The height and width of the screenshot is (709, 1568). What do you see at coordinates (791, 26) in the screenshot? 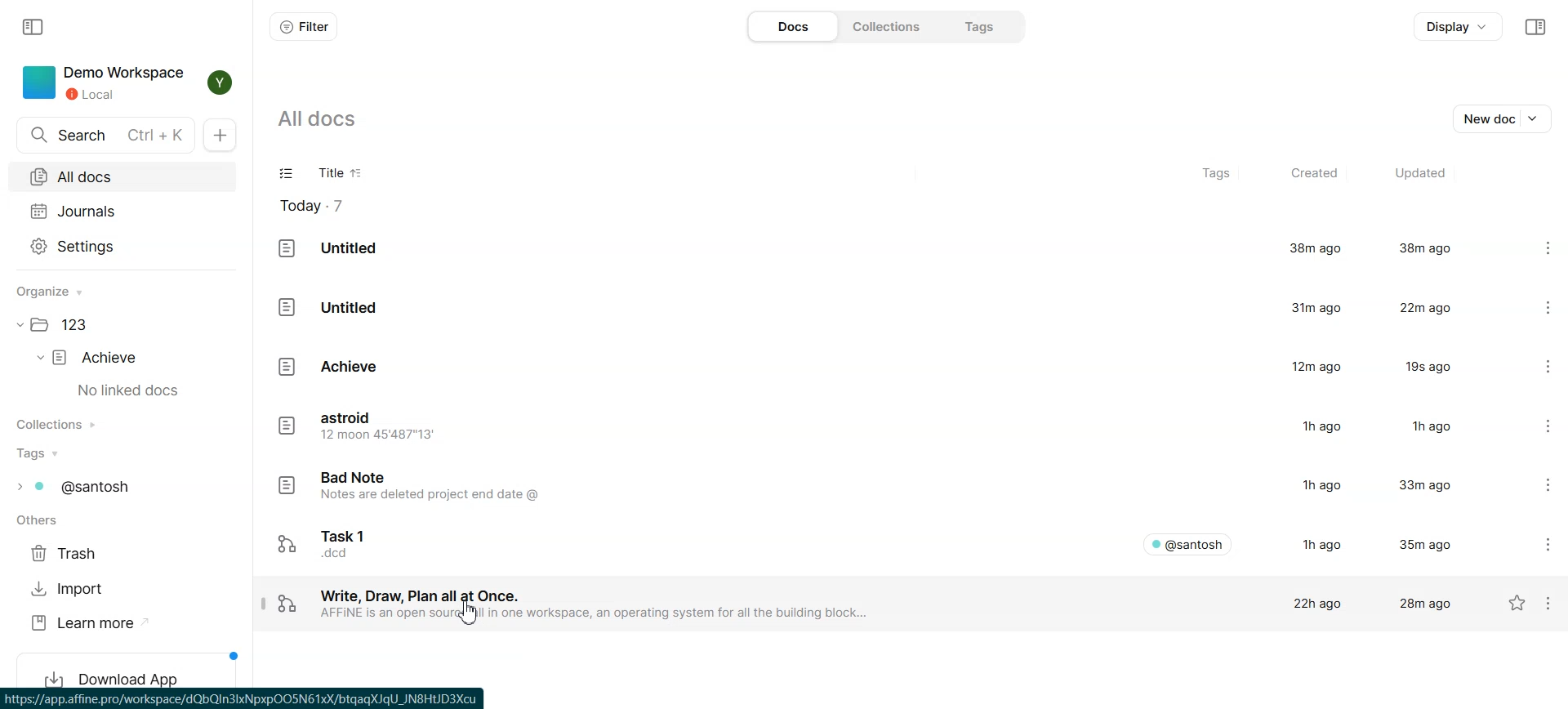
I see `Docs` at bounding box center [791, 26].